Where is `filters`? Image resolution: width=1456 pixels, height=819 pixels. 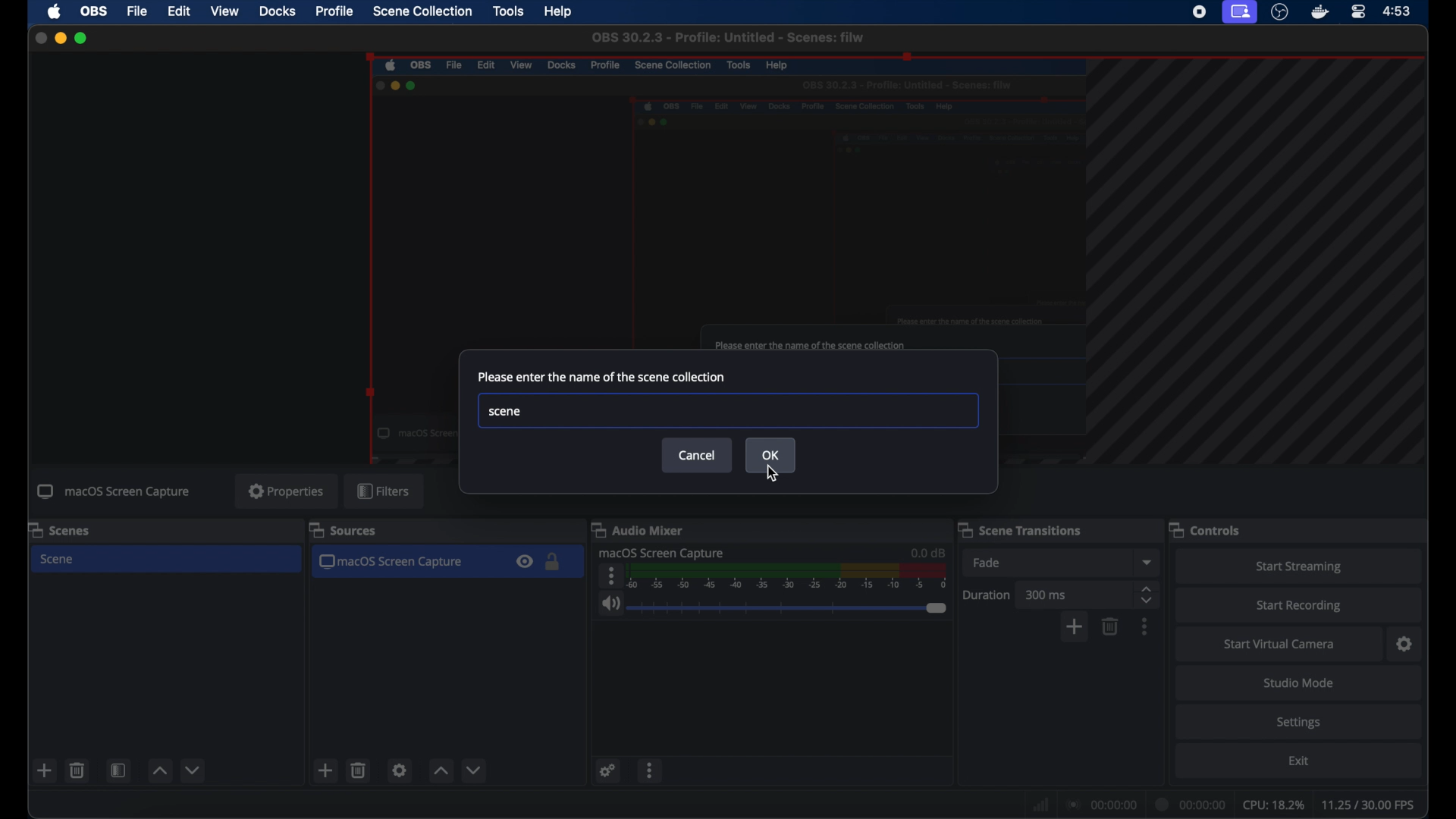 filters is located at coordinates (385, 491).